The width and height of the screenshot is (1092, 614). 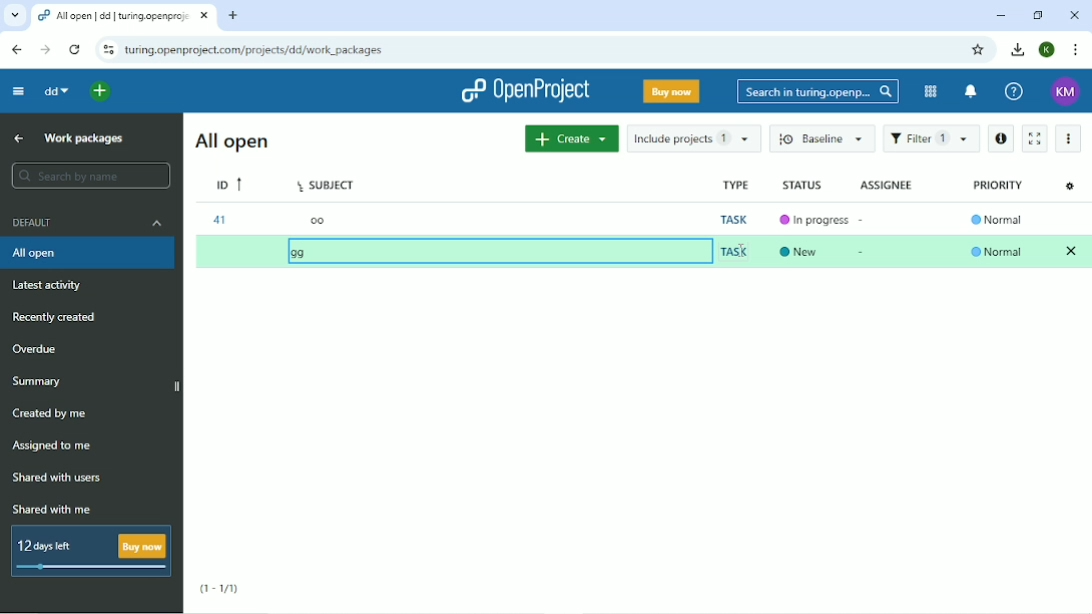 What do you see at coordinates (818, 91) in the screenshot?
I see `Search` at bounding box center [818, 91].